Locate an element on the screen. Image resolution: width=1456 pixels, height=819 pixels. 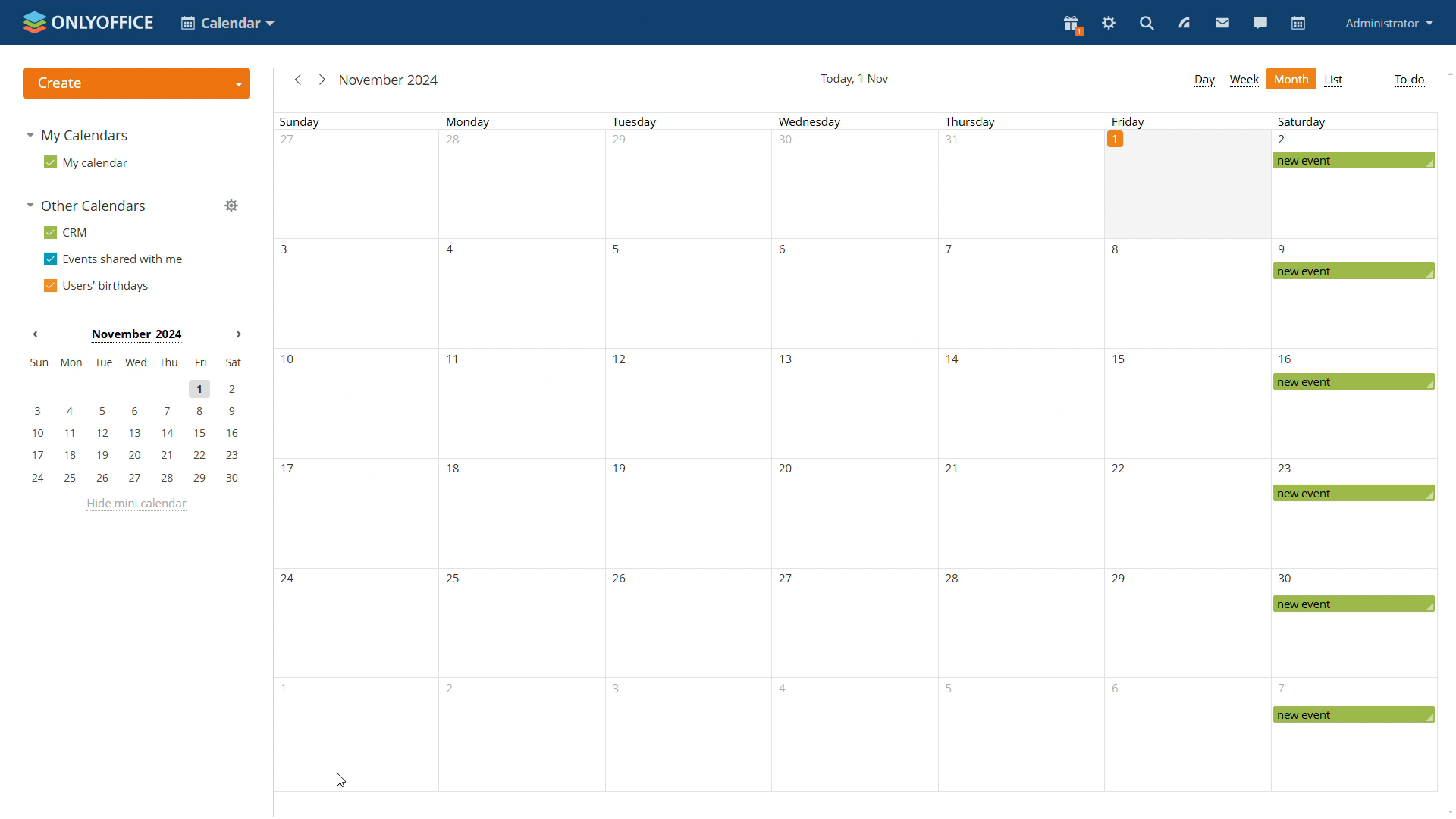
logo is located at coordinates (86, 20).